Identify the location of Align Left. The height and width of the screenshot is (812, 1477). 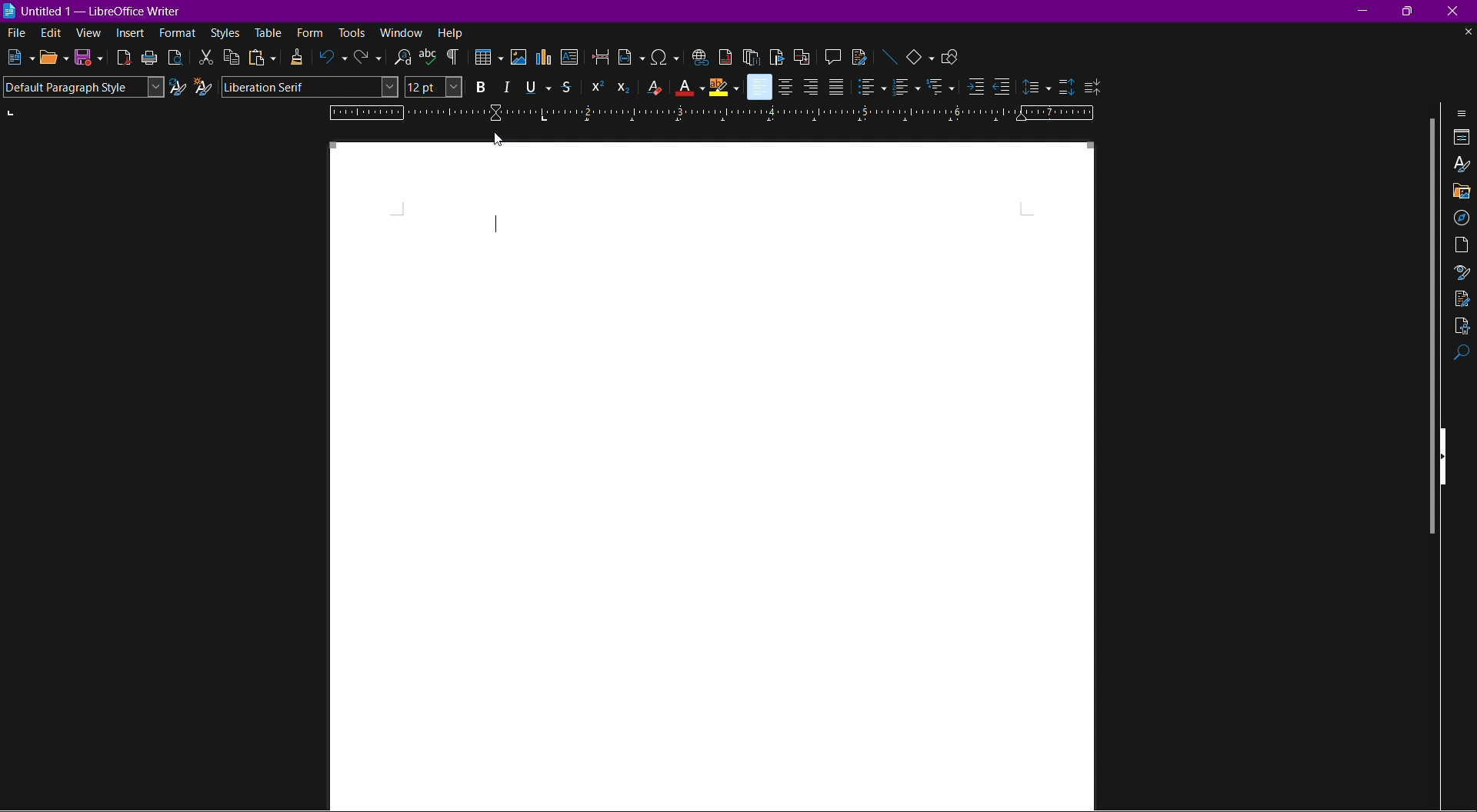
(759, 87).